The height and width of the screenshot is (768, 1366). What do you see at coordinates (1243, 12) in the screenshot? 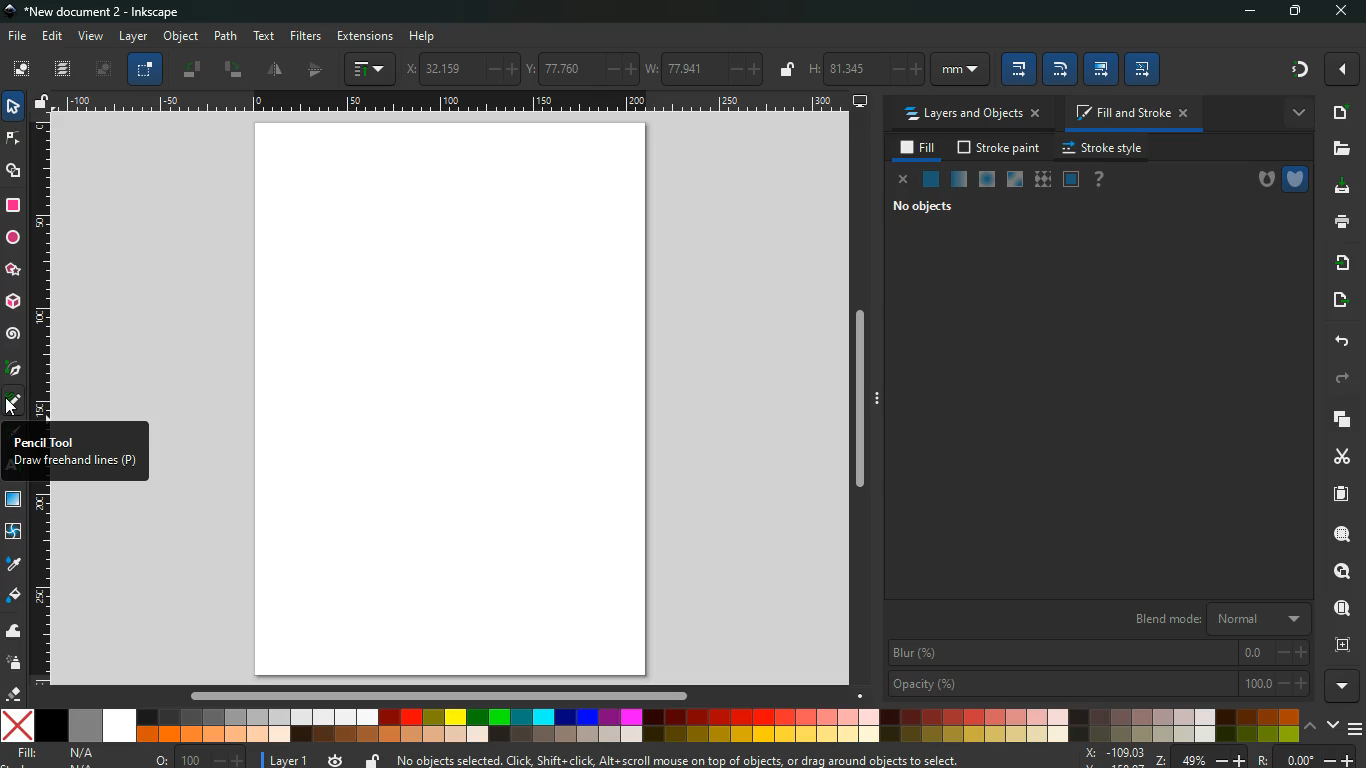
I see `minimize` at bounding box center [1243, 12].